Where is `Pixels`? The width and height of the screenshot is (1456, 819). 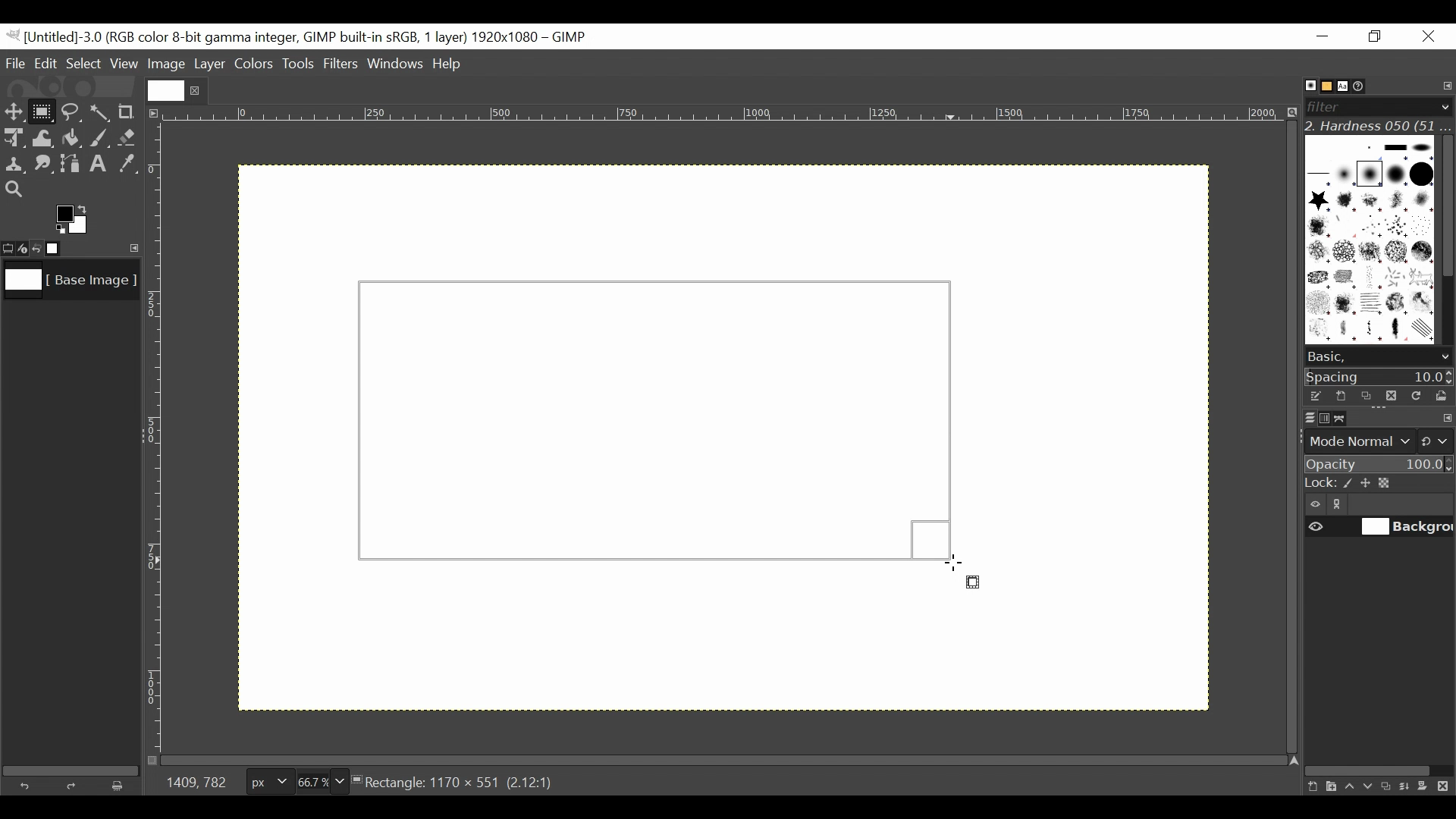 Pixels is located at coordinates (266, 779).